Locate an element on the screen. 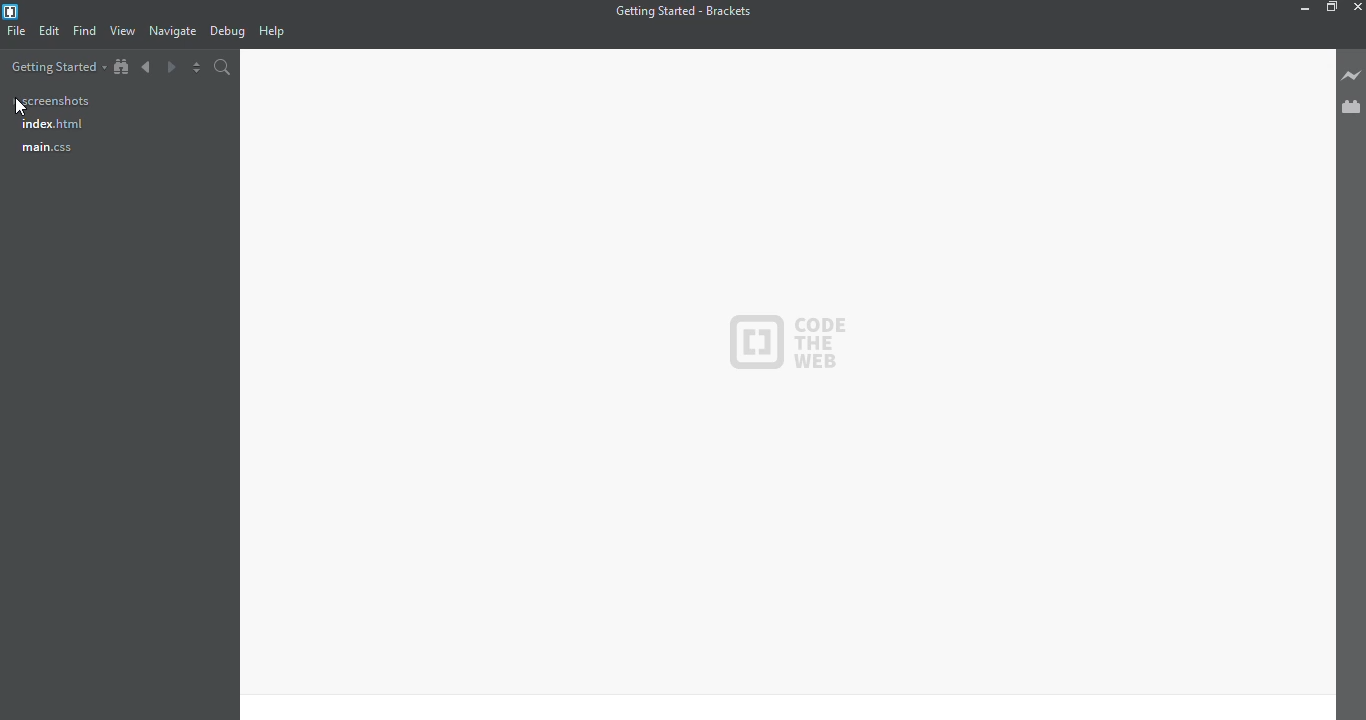 Image resolution: width=1366 pixels, height=720 pixels. split editor is located at coordinates (195, 66).